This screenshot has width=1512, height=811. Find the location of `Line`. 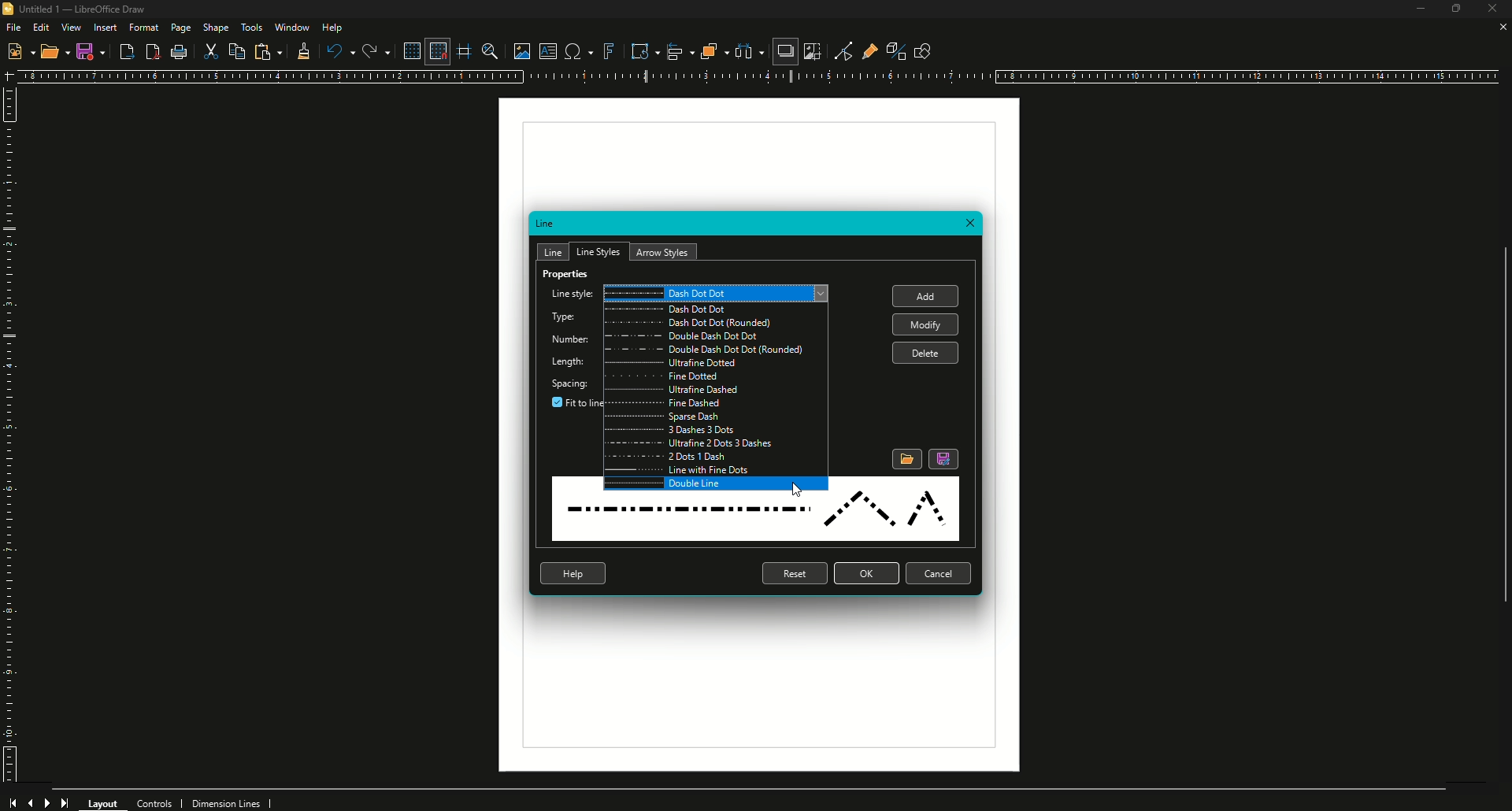

Line is located at coordinates (547, 224).